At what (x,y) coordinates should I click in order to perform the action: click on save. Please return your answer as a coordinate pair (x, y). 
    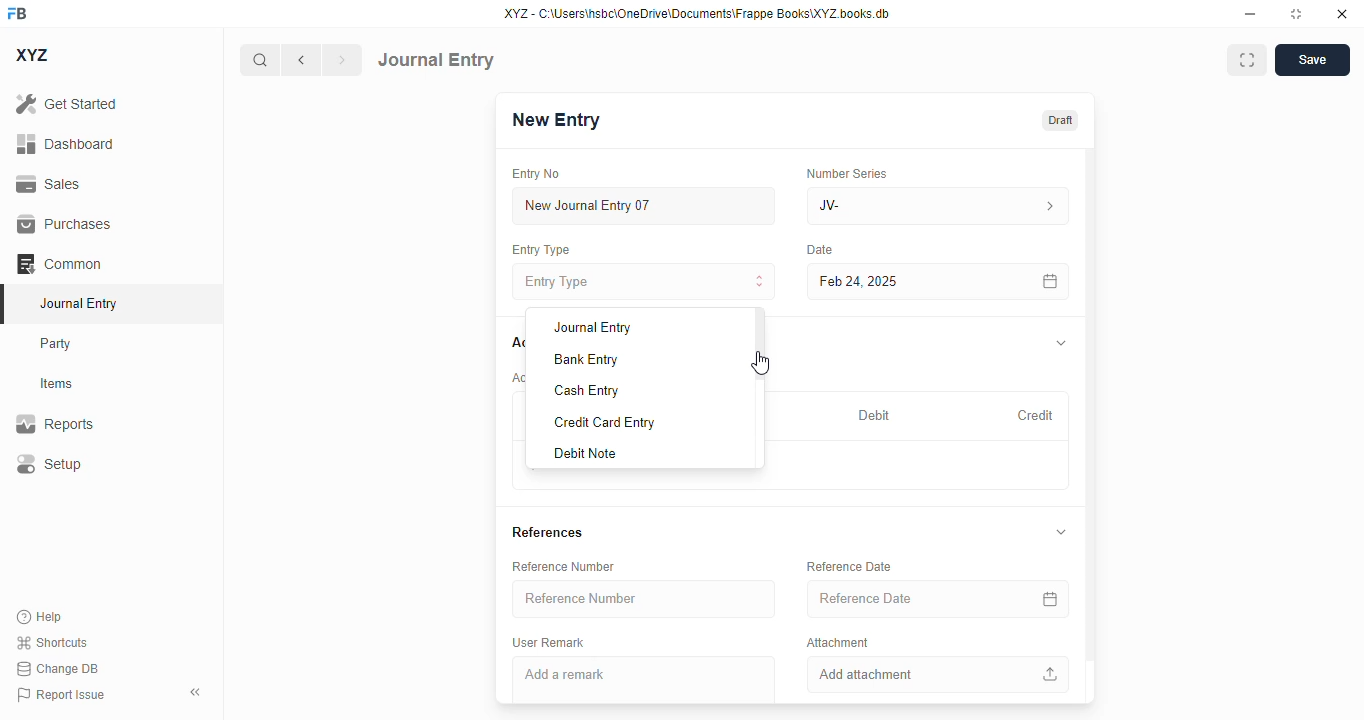
    Looking at the image, I should click on (1312, 60).